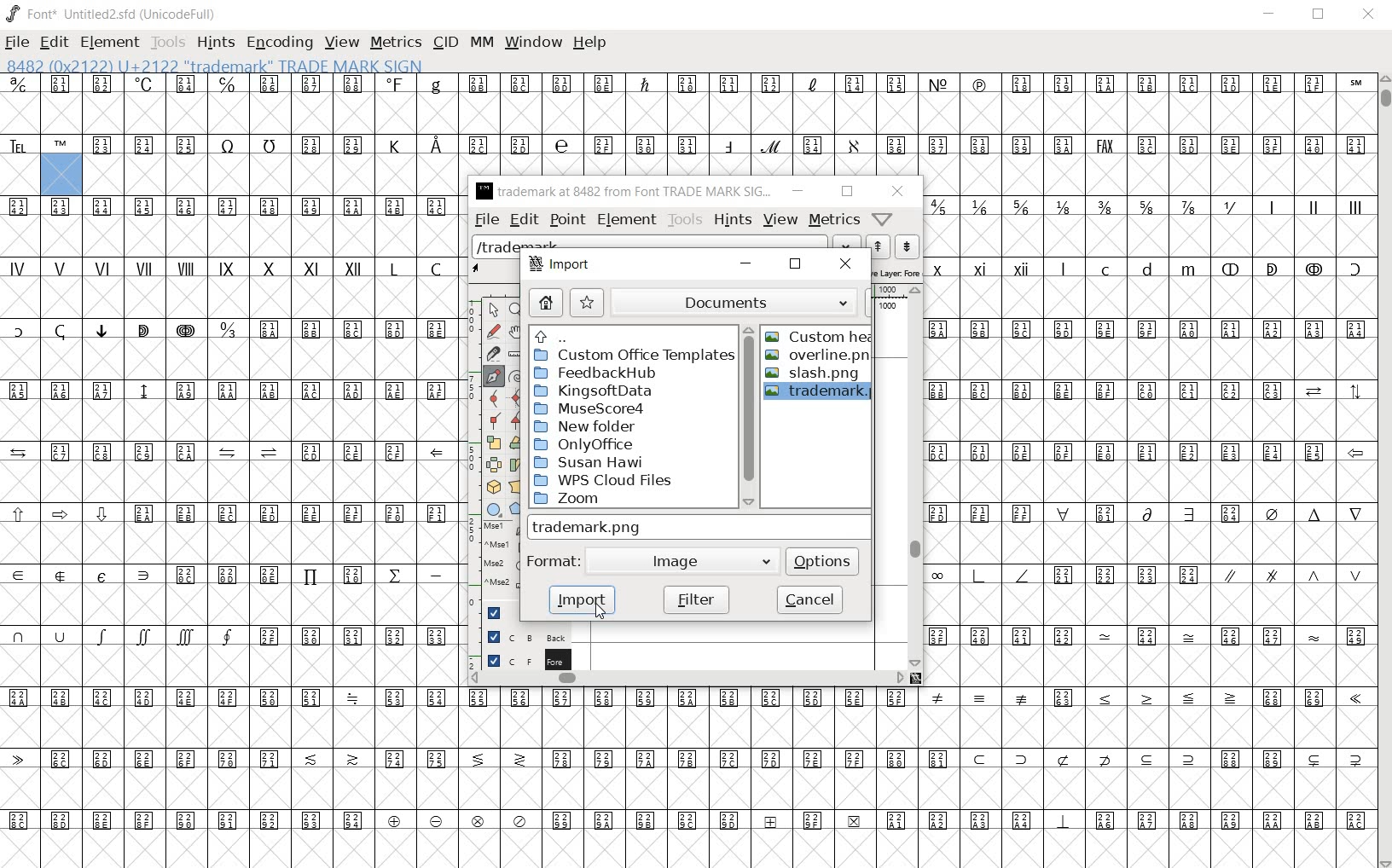 The height and width of the screenshot is (868, 1392). What do you see at coordinates (586, 426) in the screenshot?
I see `New Folder` at bounding box center [586, 426].